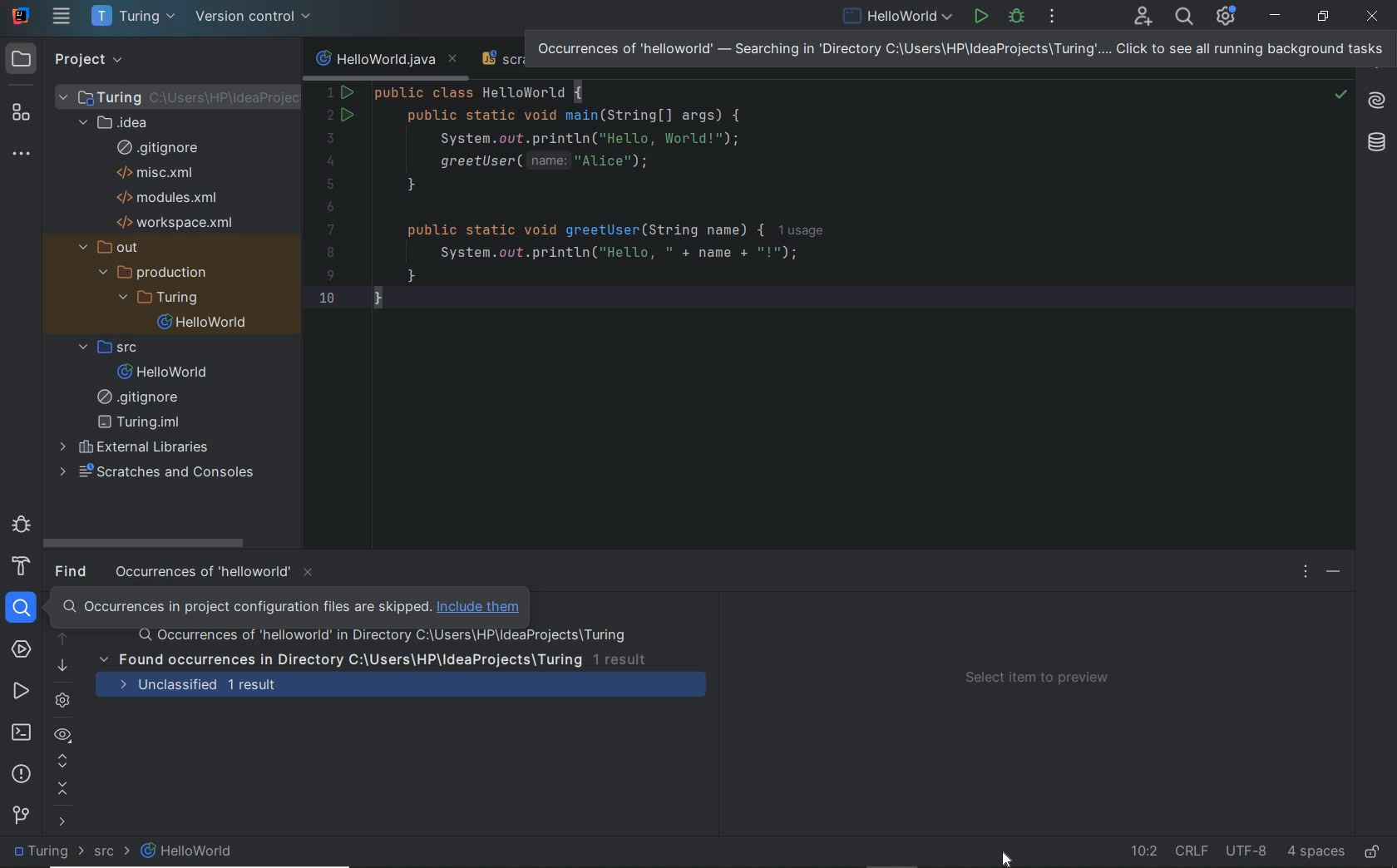 The image size is (1397, 868). I want to click on cursor, so click(1010, 856).